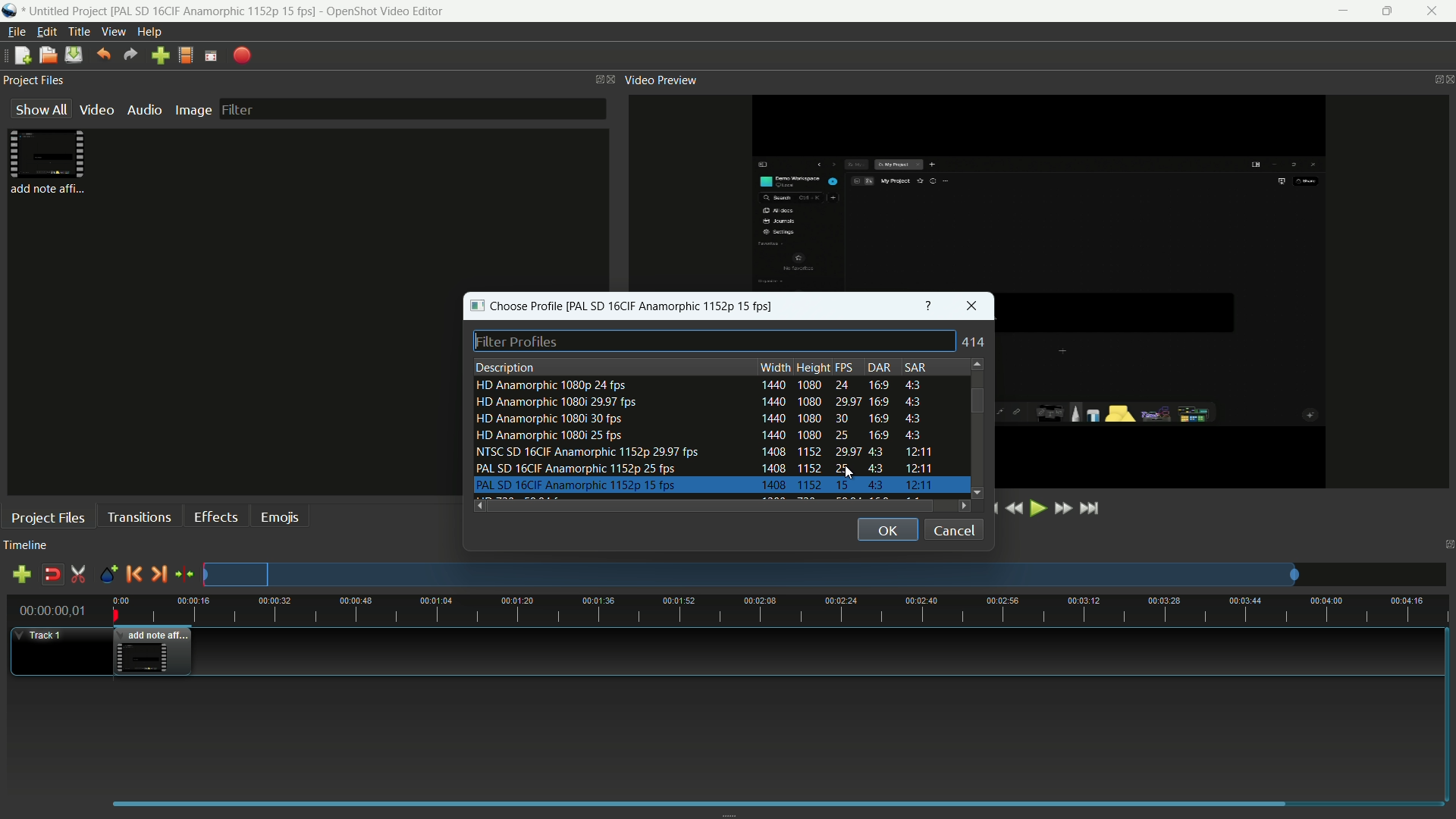  Describe the element at coordinates (280, 516) in the screenshot. I see `emojis` at that location.